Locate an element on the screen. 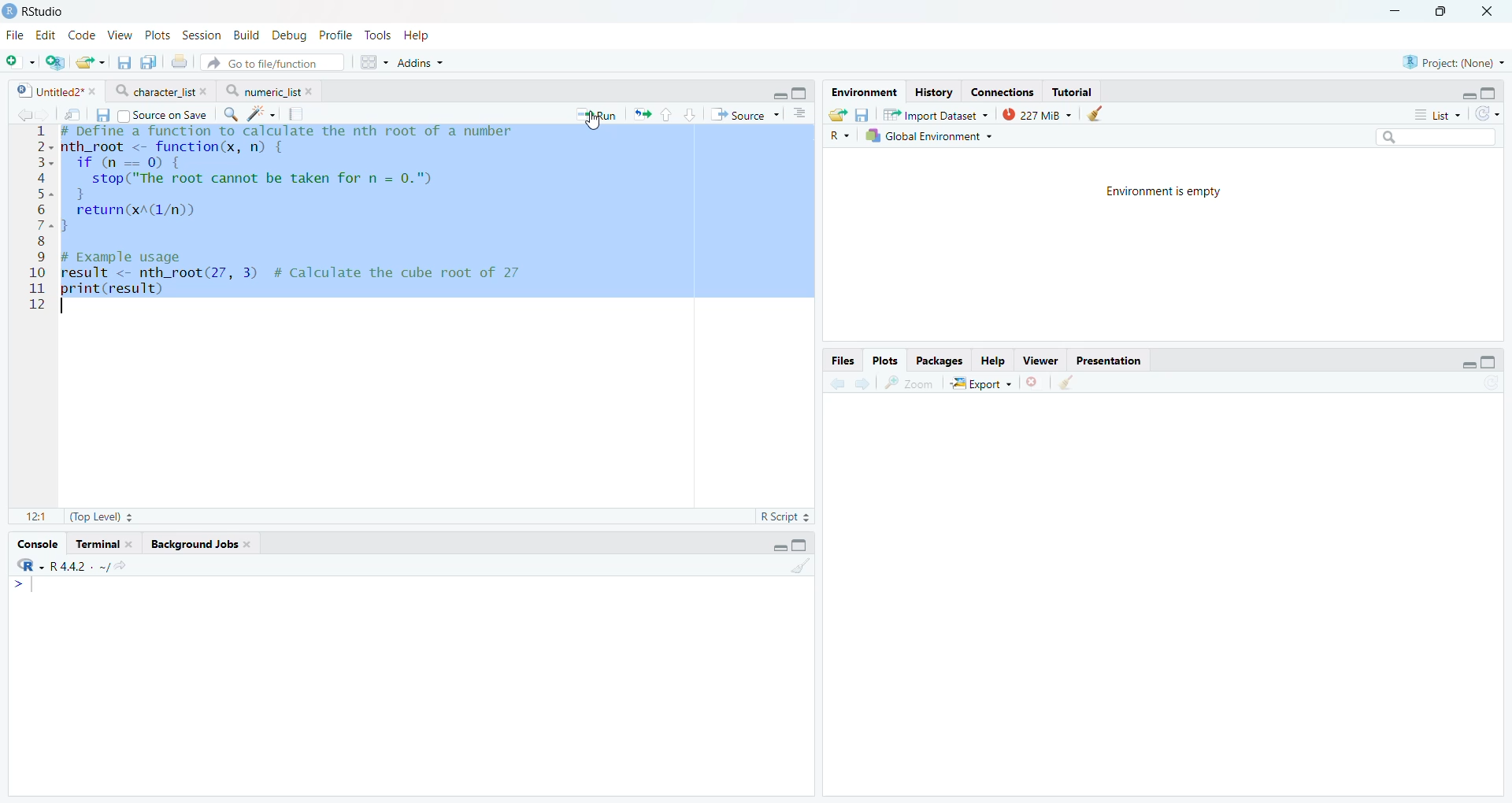 The width and height of the screenshot is (1512, 803). Session is located at coordinates (202, 34).